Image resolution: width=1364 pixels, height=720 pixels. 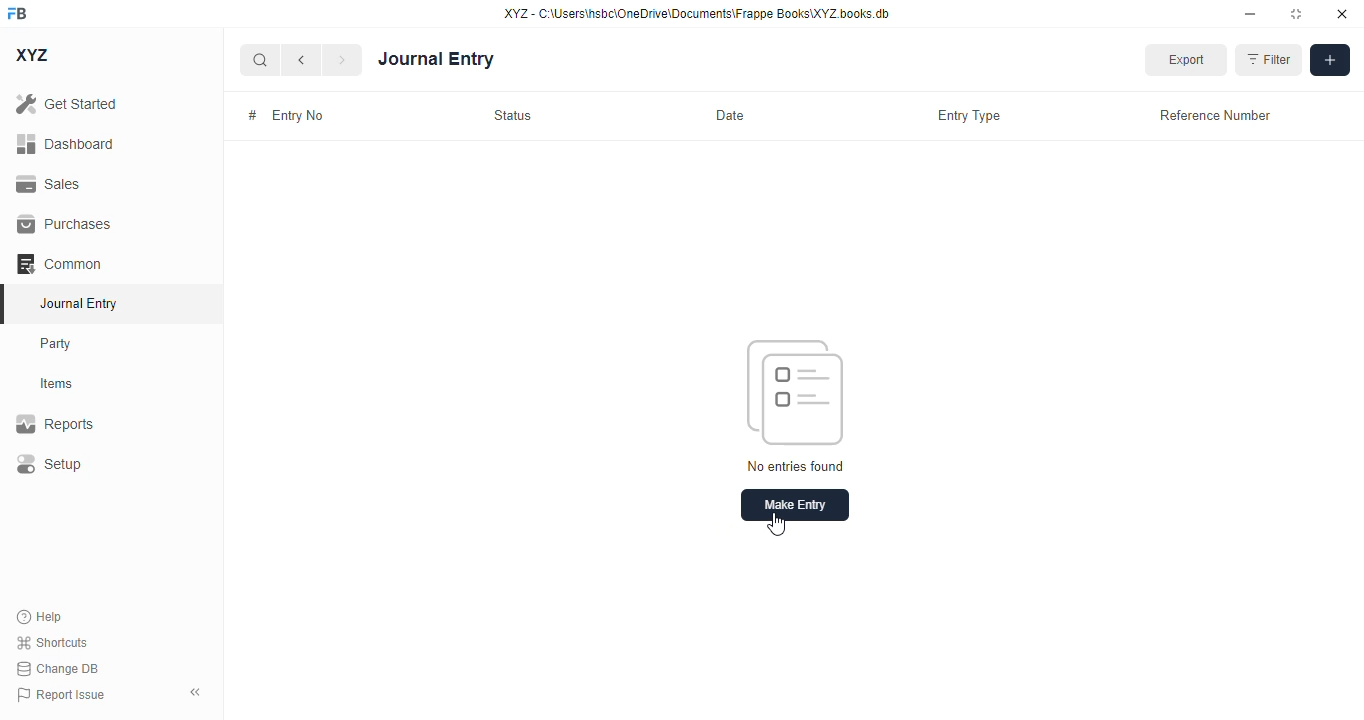 What do you see at coordinates (17, 13) in the screenshot?
I see `FB - logo` at bounding box center [17, 13].